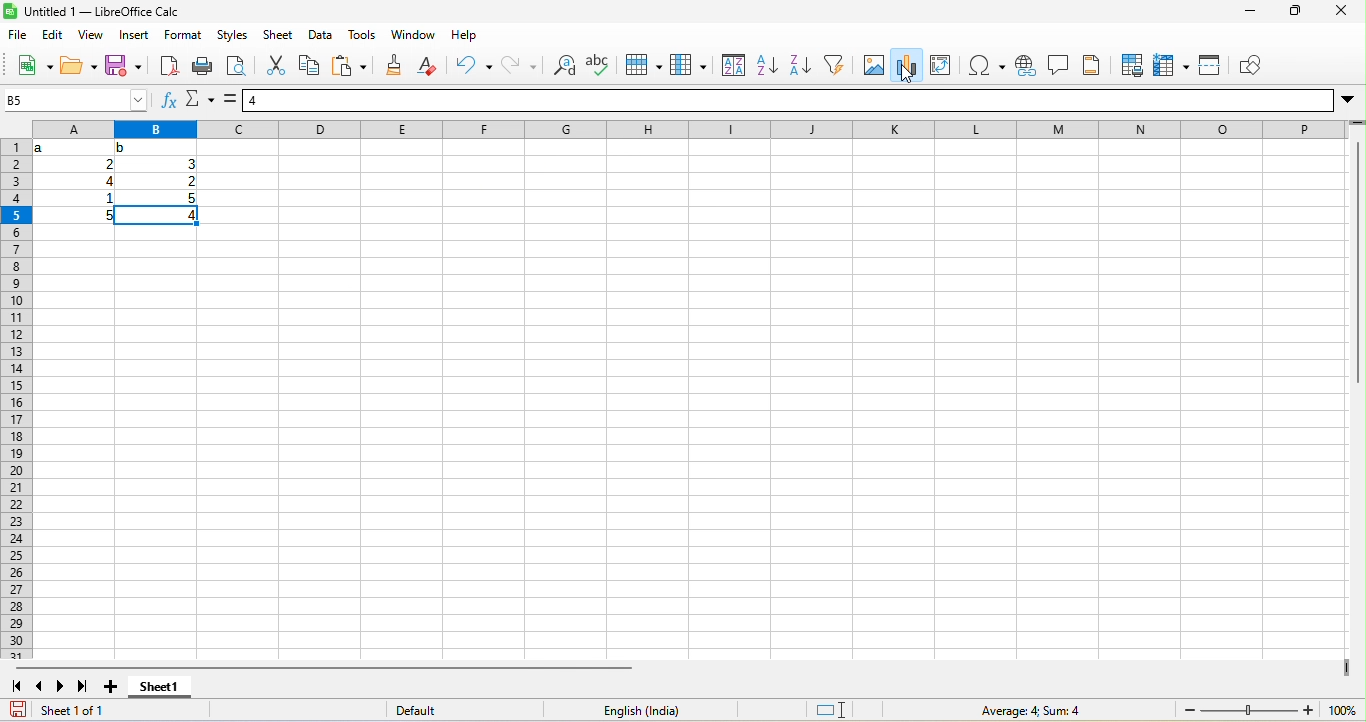 Image resolution: width=1366 pixels, height=722 pixels. Describe the element at coordinates (769, 64) in the screenshot. I see `sort ascending` at that location.